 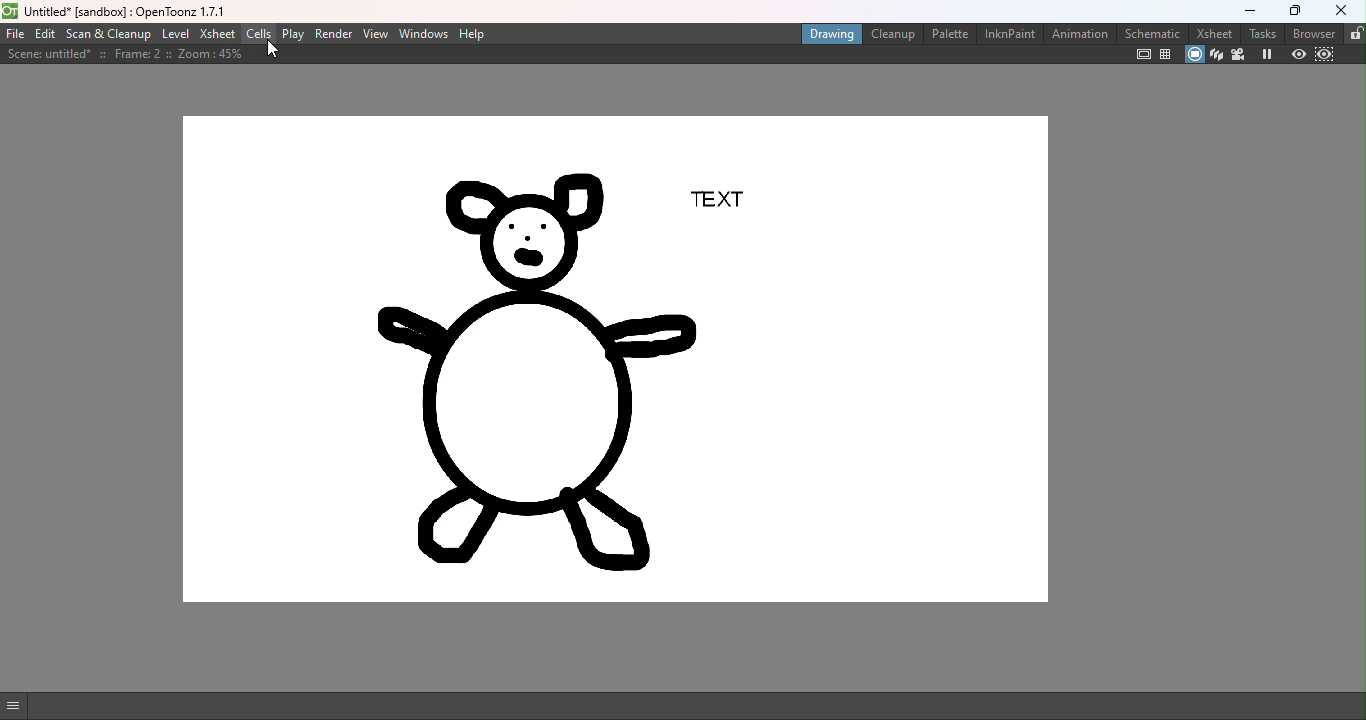 I want to click on close, so click(x=1341, y=11).